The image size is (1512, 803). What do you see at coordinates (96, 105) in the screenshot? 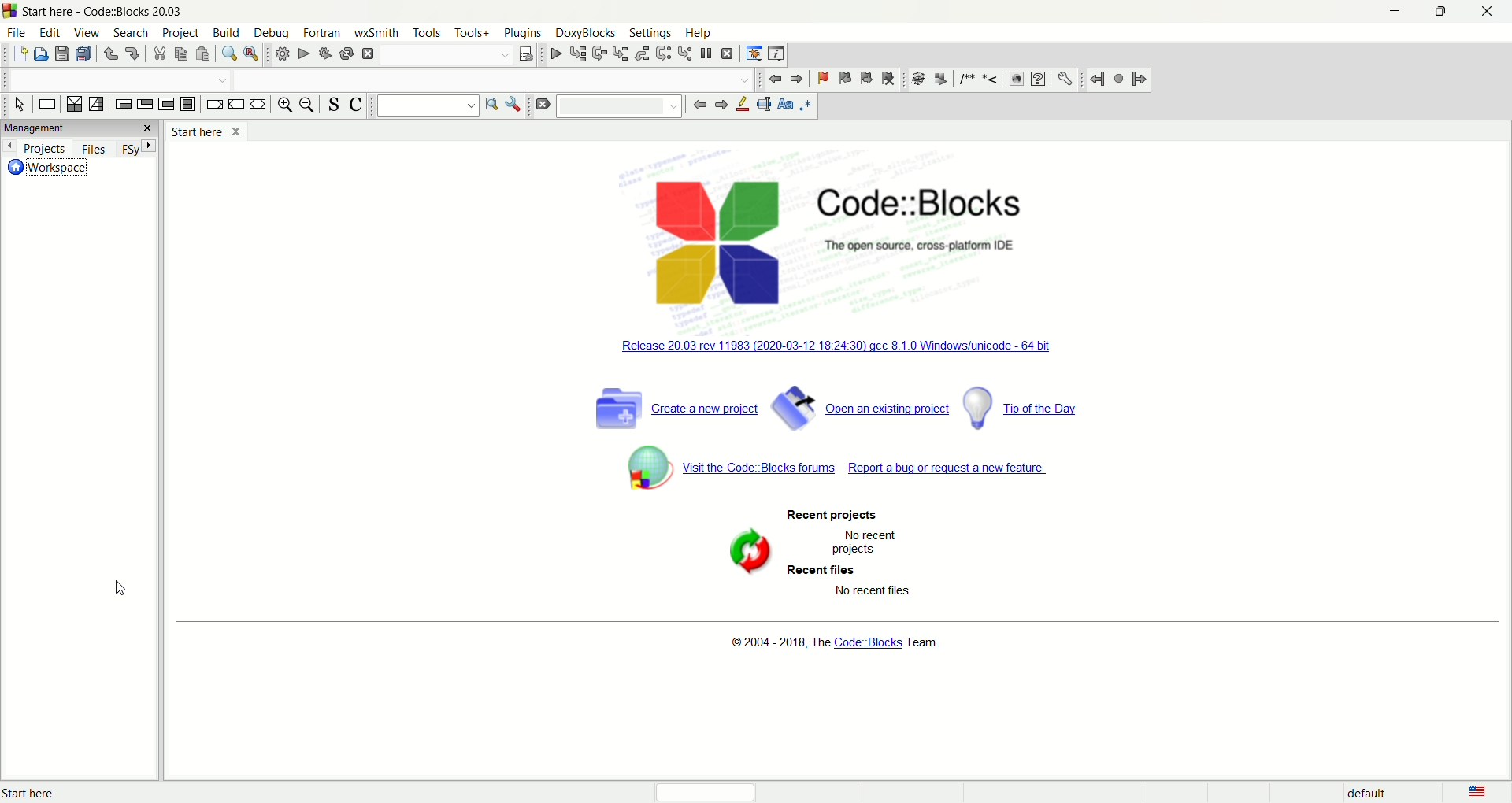
I see `selection` at bounding box center [96, 105].